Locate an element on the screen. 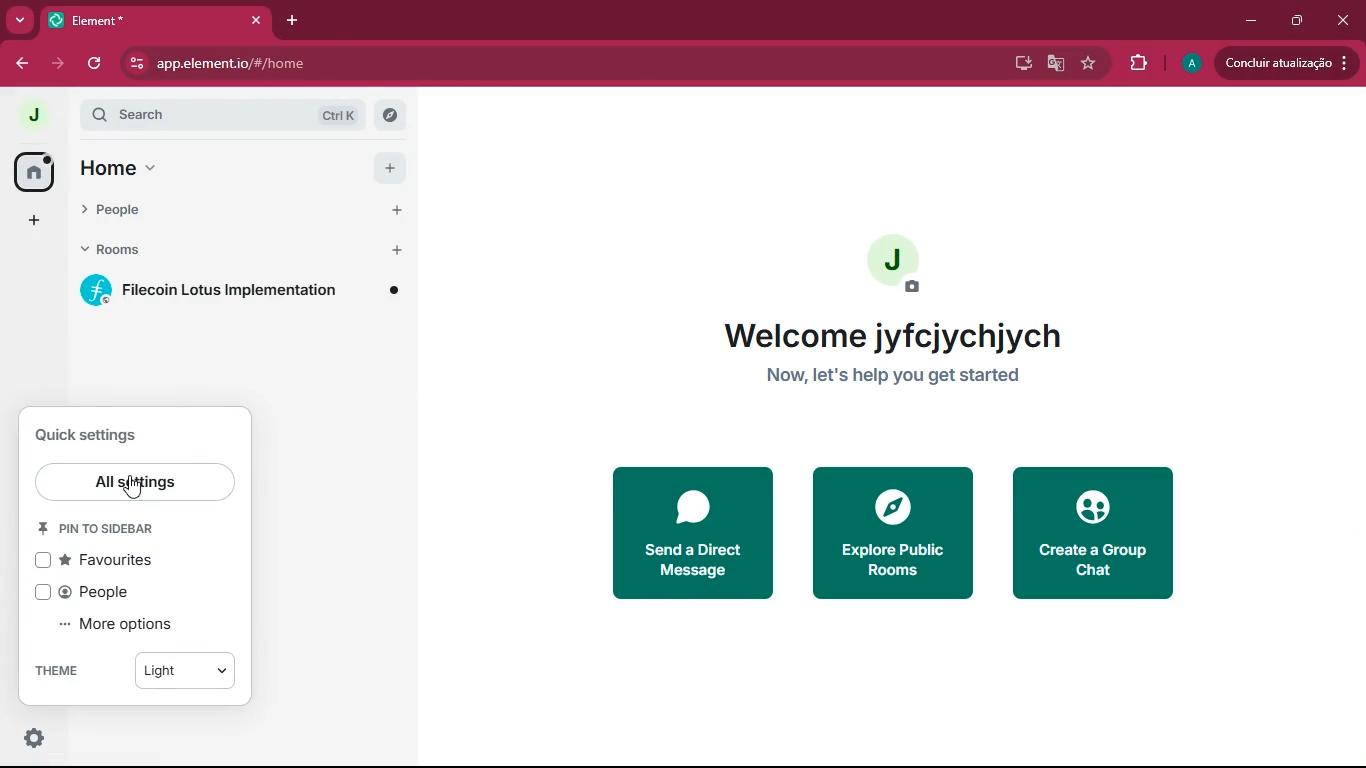 The height and width of the screenshot is (768, 1366). more options is located at coordinates (133, 625).